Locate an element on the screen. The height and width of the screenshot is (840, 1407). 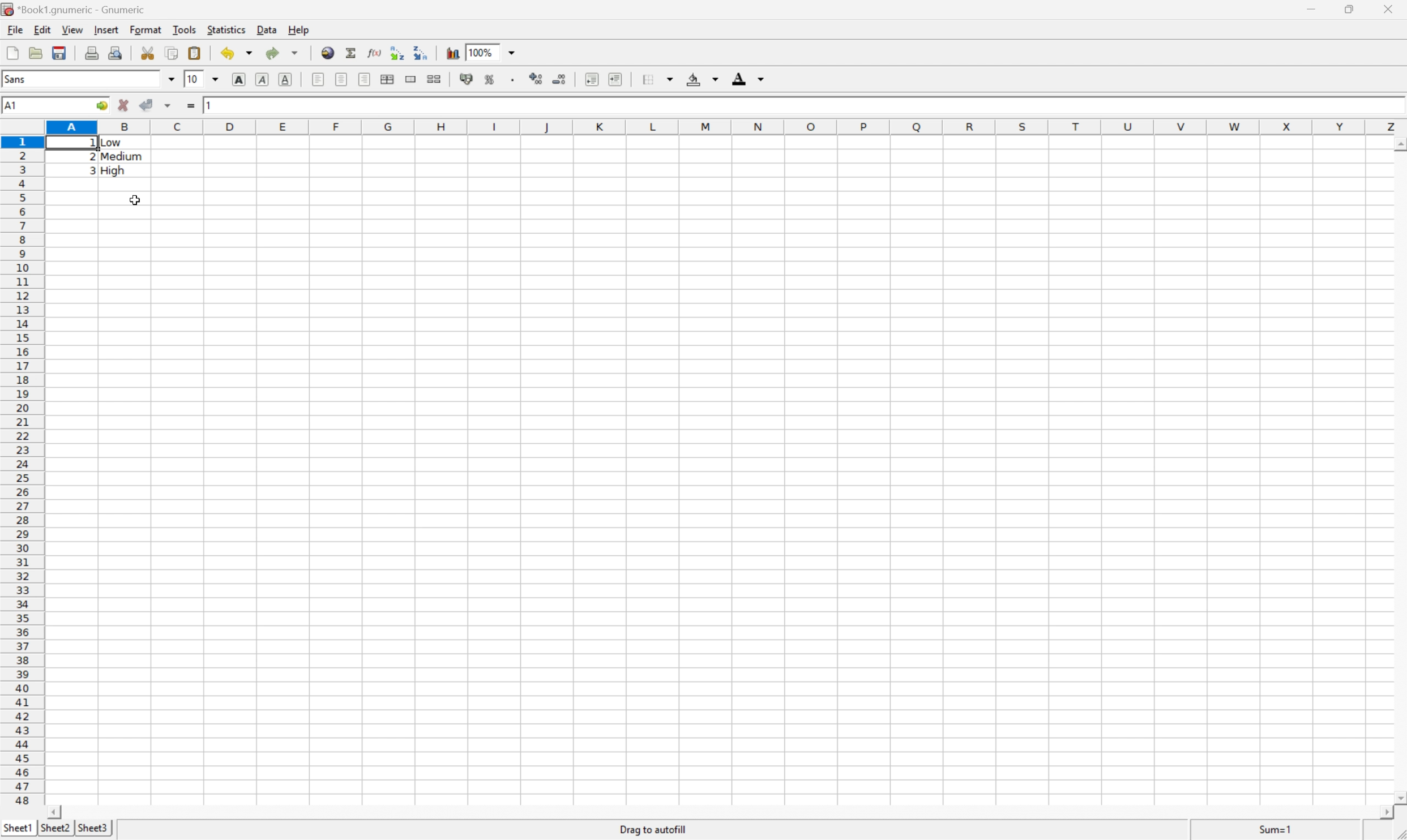
10 is located at coordinates (193, 79).